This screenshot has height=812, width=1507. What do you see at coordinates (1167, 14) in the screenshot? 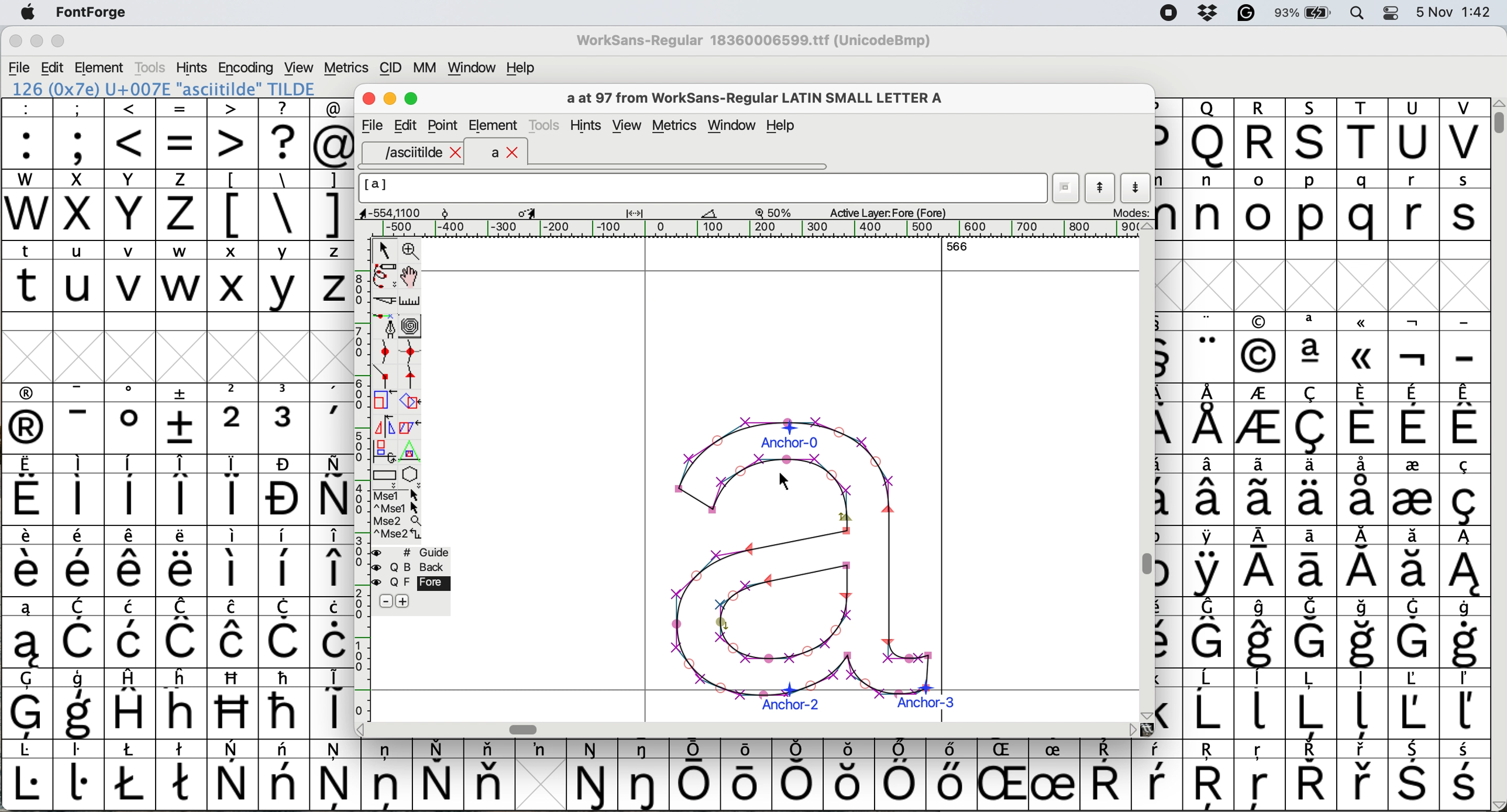
I see `screen recorder` at bounding box center [1167, 14].